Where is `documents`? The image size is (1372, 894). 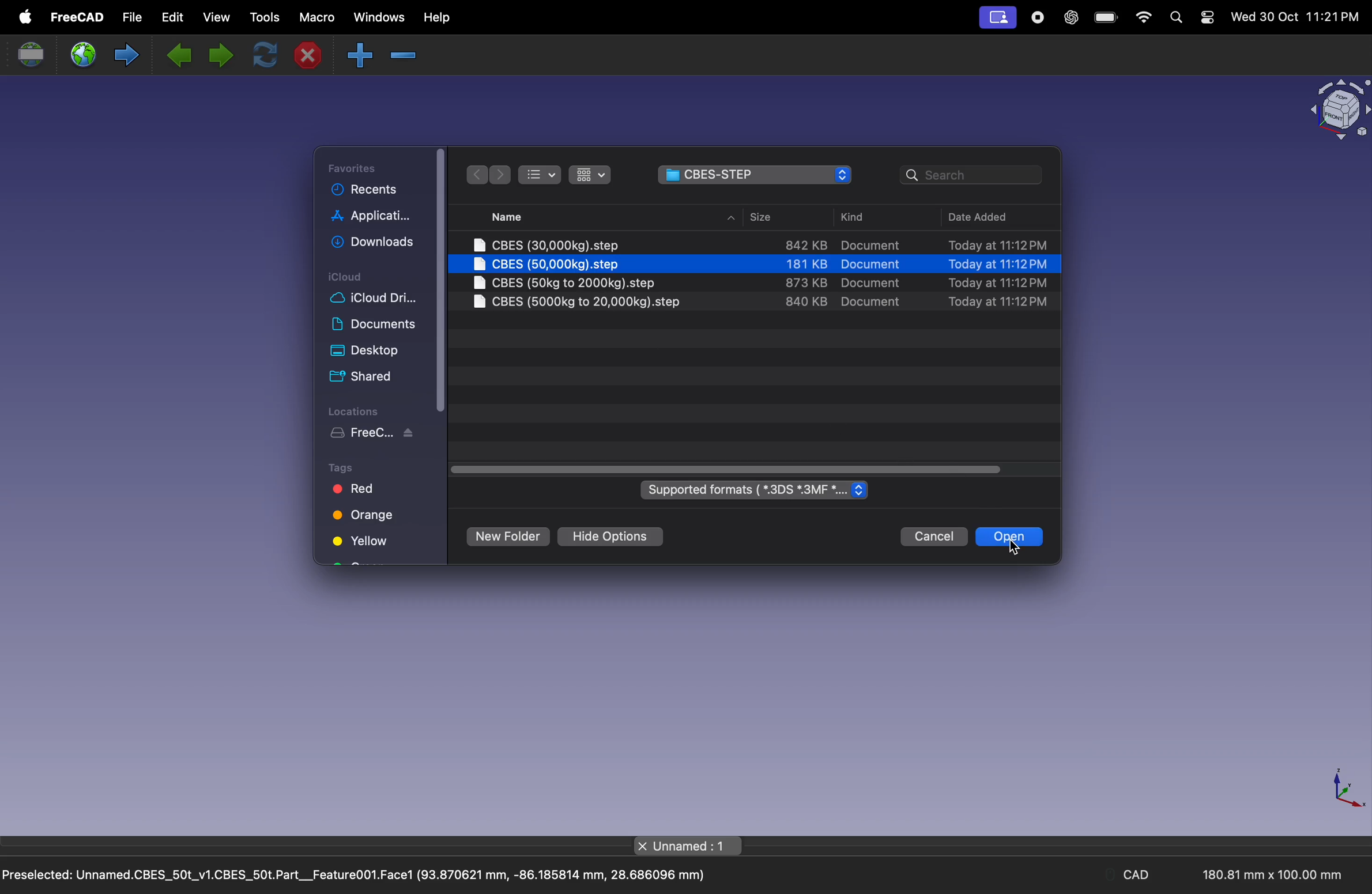
documents is located at coordinates (374, 323).